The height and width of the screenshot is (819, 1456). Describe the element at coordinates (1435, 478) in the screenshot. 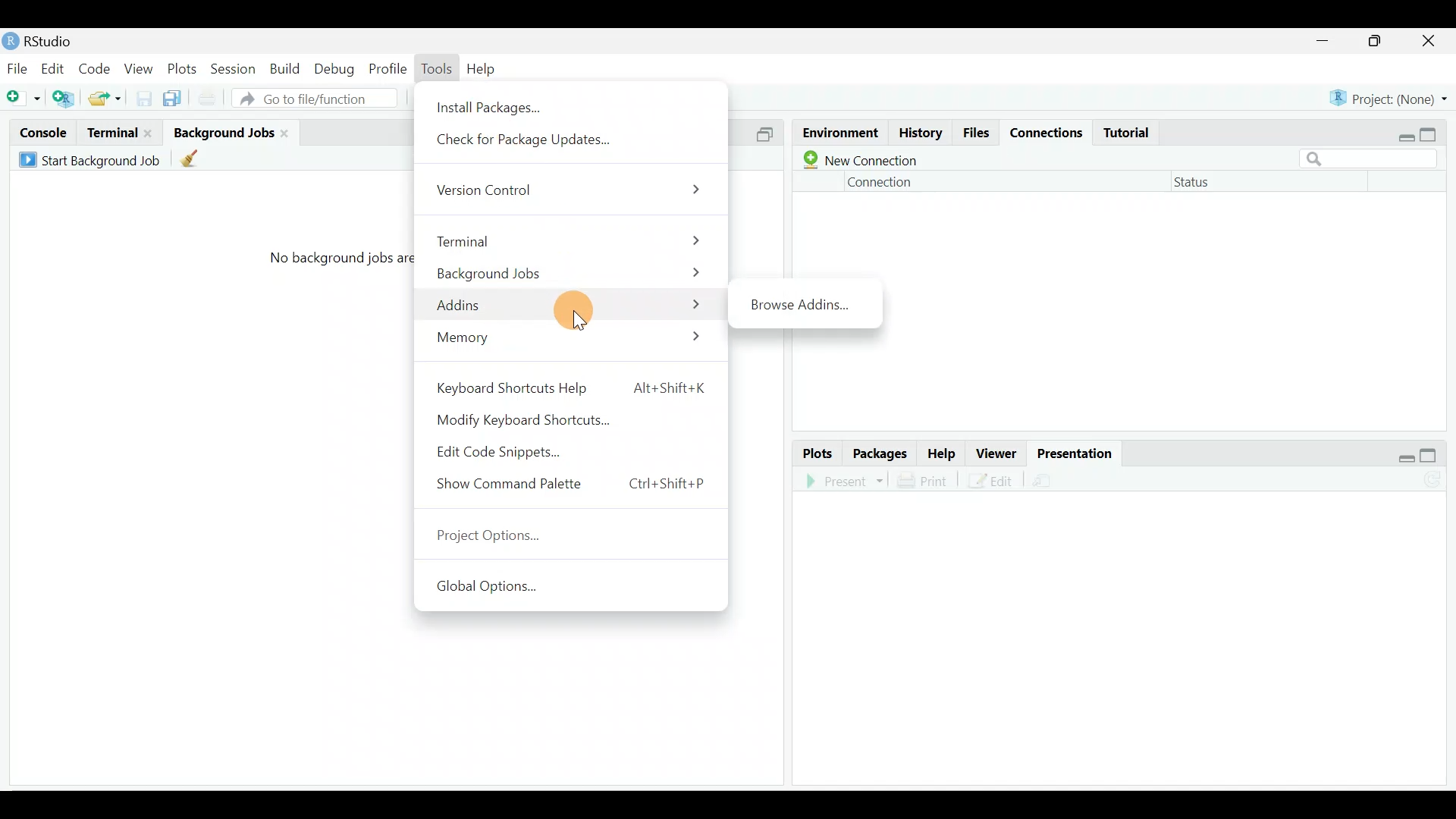

I see `Refresh the presentation view` at that location.